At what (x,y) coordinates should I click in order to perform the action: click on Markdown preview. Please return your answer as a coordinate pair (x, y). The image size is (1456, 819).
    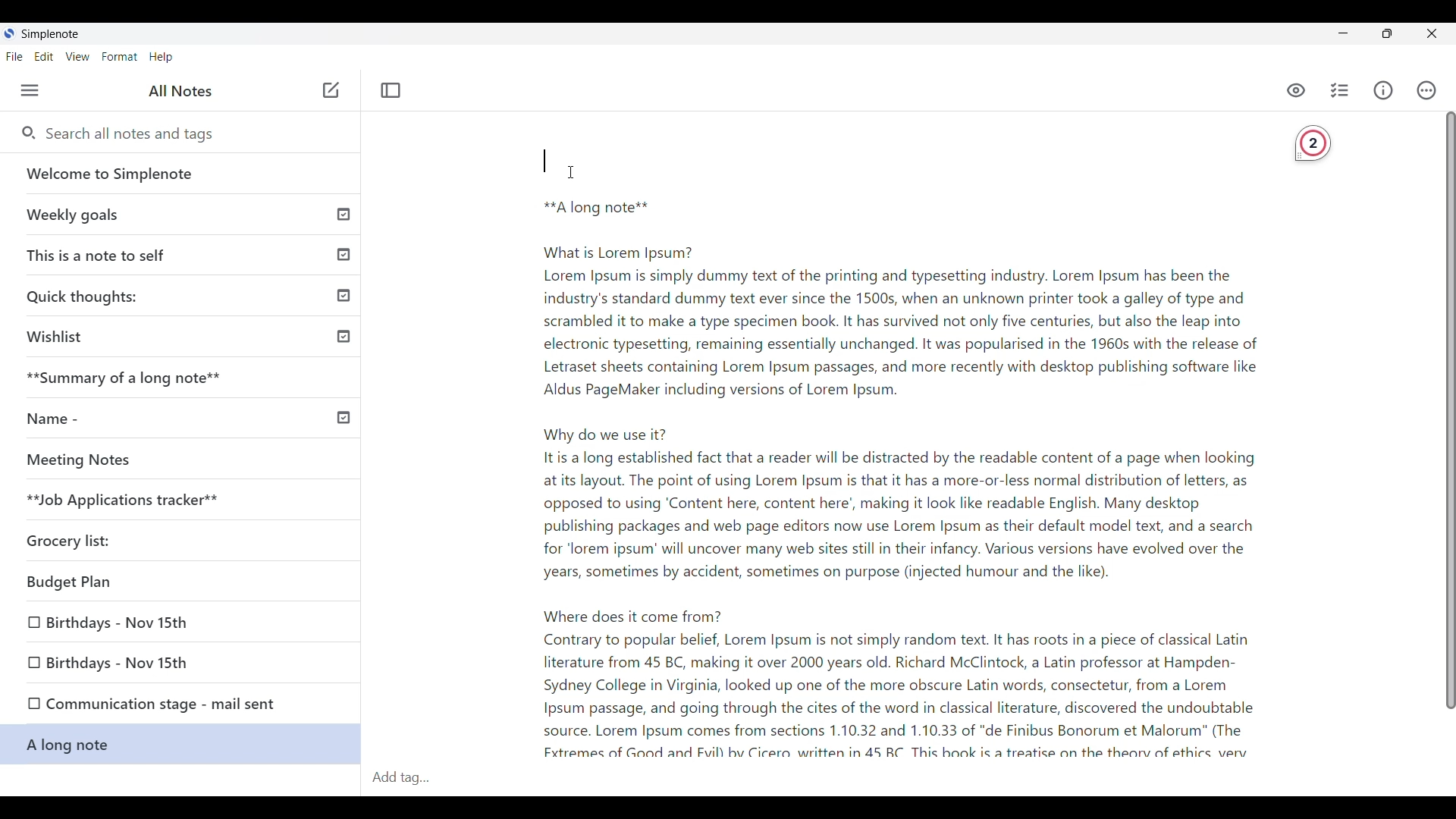
    Looking at the image, I should click on (1294, 91).